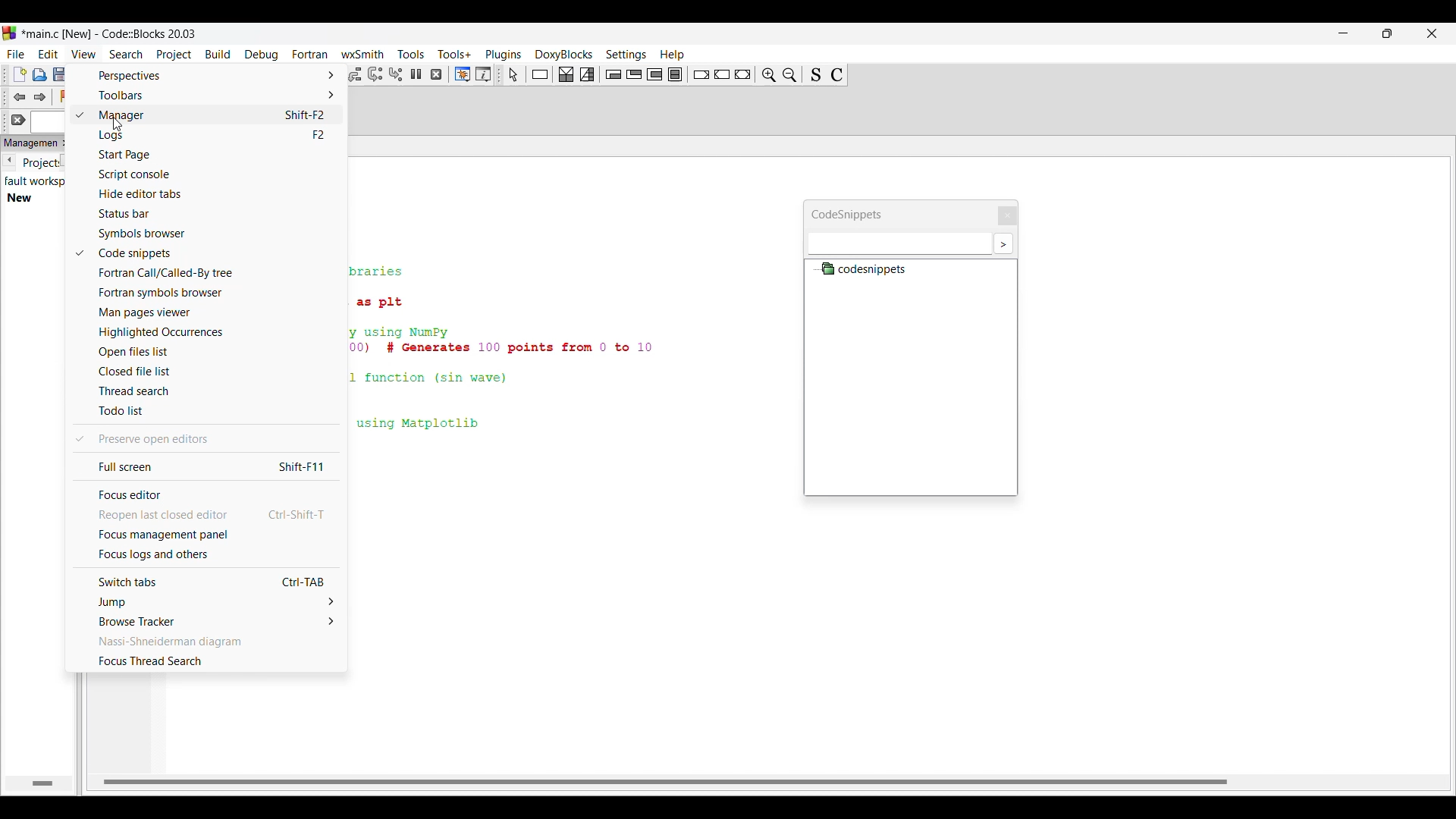 Image resolution: width=1456 pixels, height=819 pixels. What do you see at coordinates (79, 277) in the screenshot?
I see `Checkmark indicates selected options` at bounding box center [79, 277].